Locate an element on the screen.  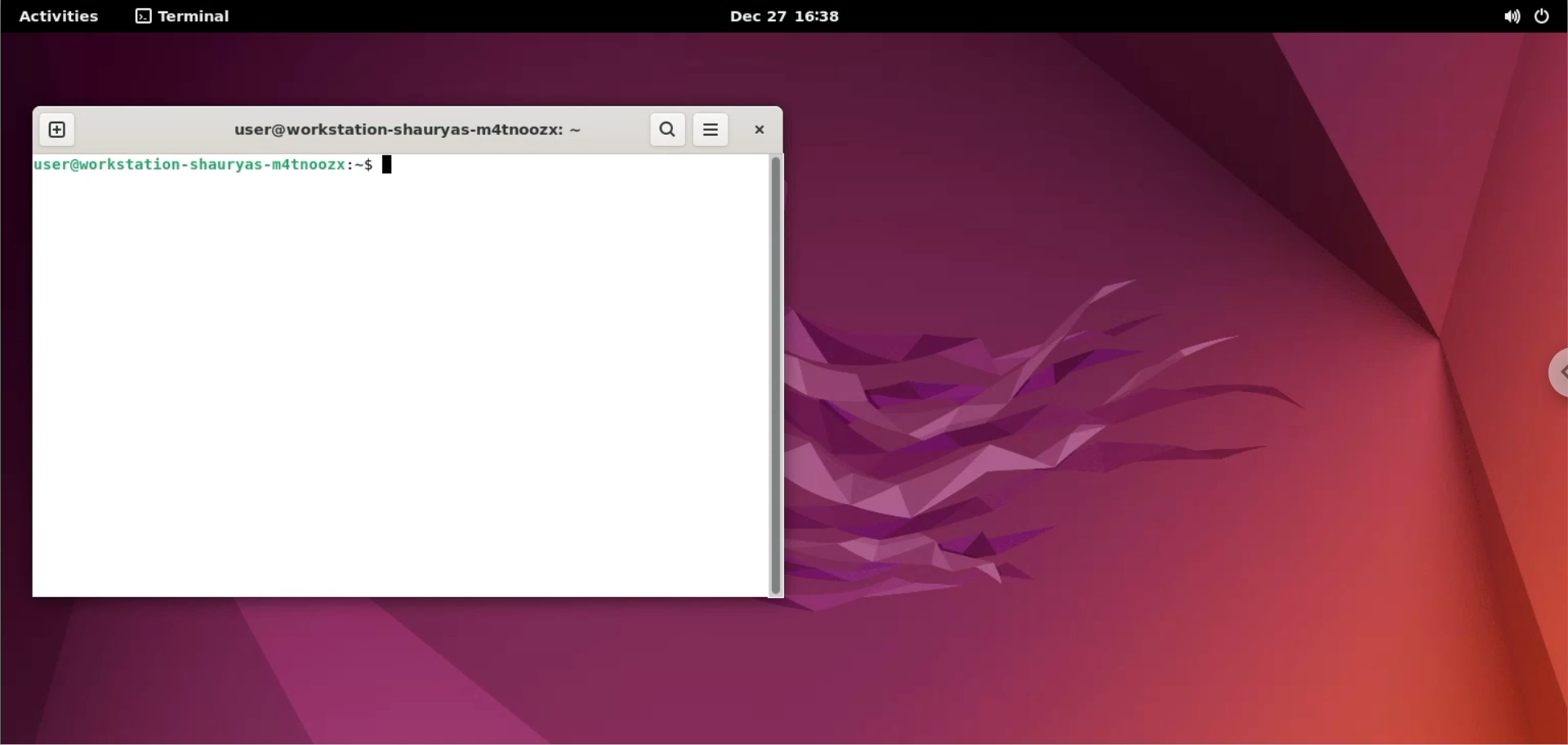
close is located at coordinates (757, 127).